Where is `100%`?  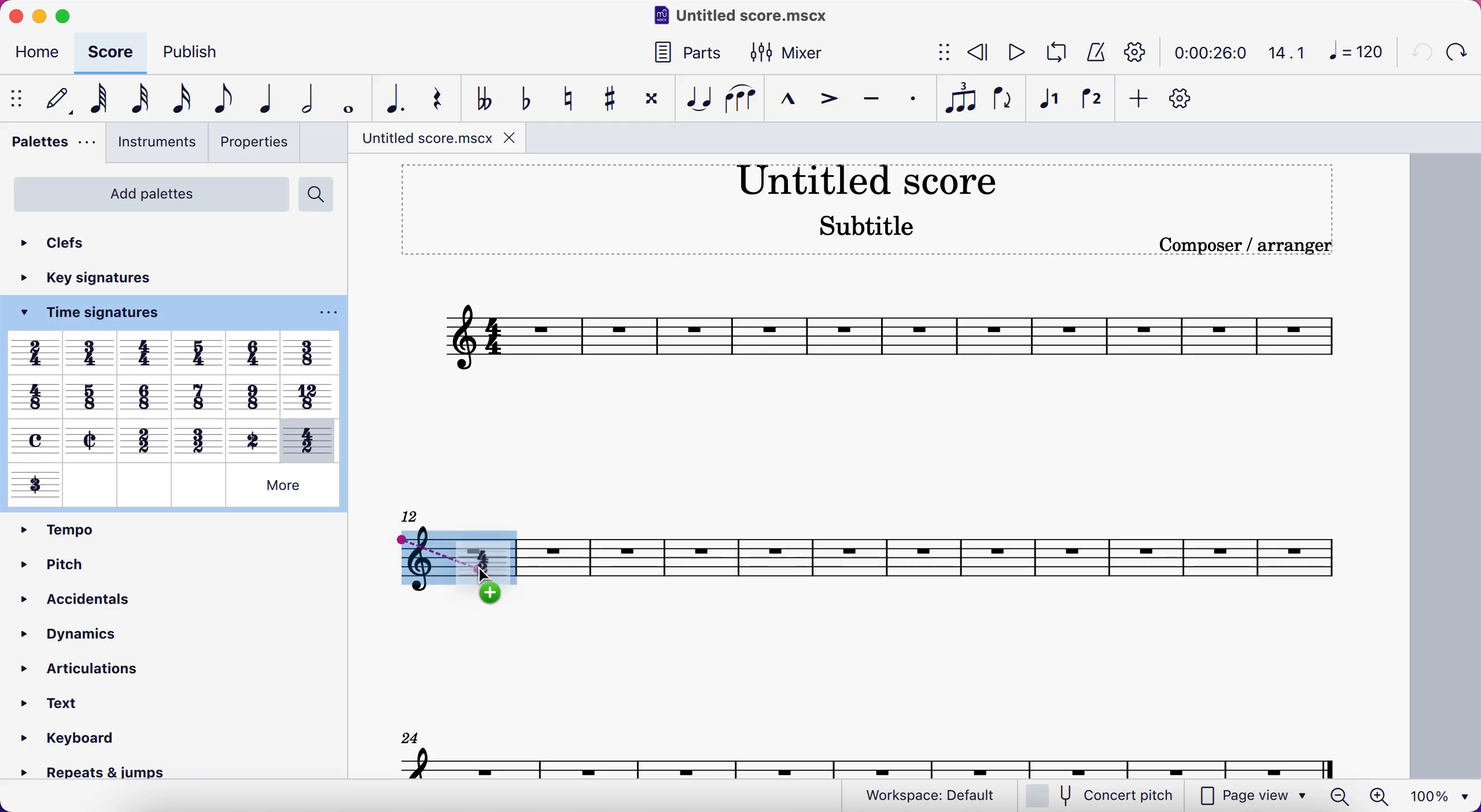
100% is located at coordinates (1438, 796).